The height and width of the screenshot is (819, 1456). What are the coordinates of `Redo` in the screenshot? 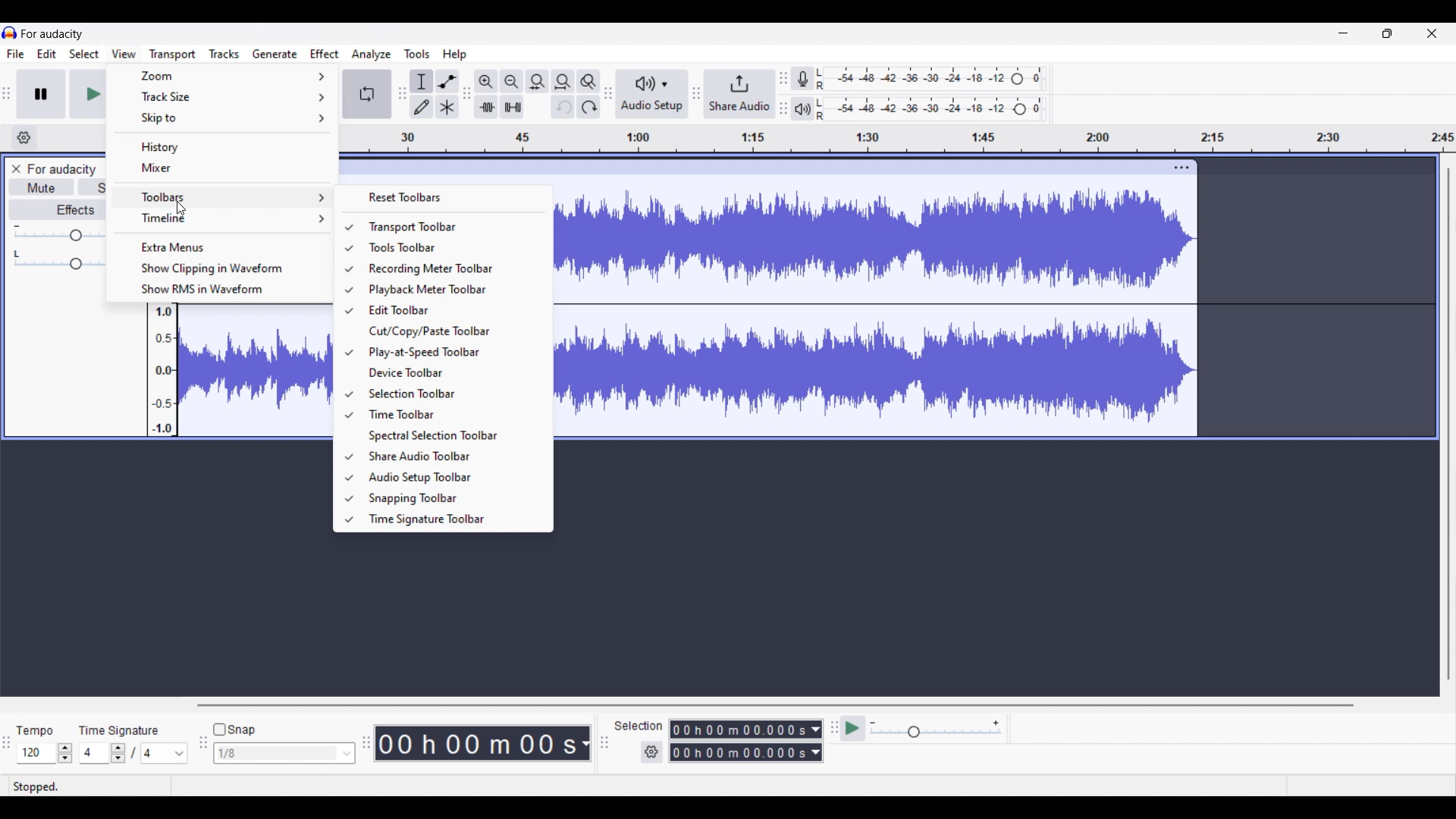 It's located at (589, 106).